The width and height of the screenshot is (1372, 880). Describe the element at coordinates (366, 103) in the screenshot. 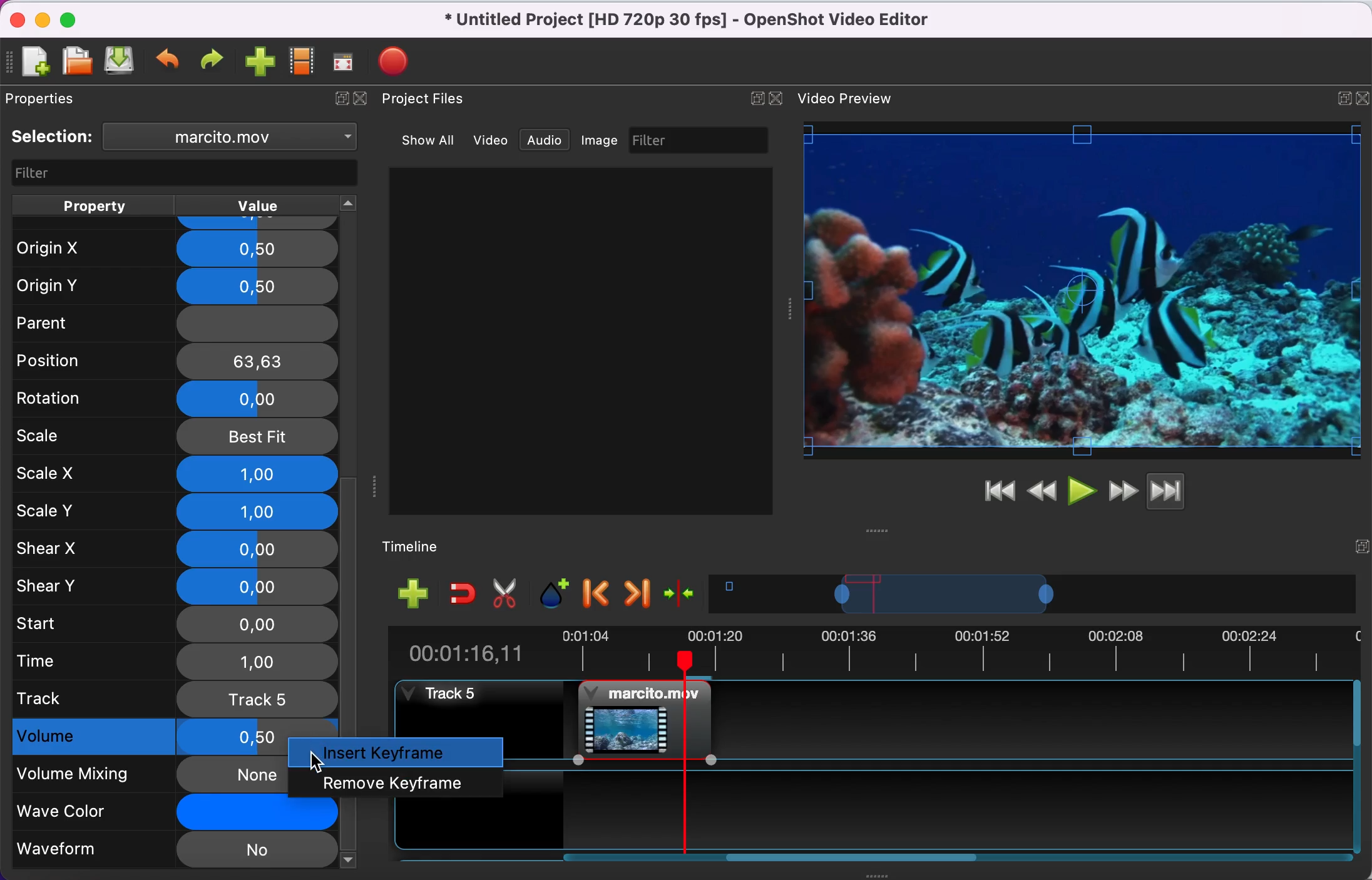

I see `close` at that location.